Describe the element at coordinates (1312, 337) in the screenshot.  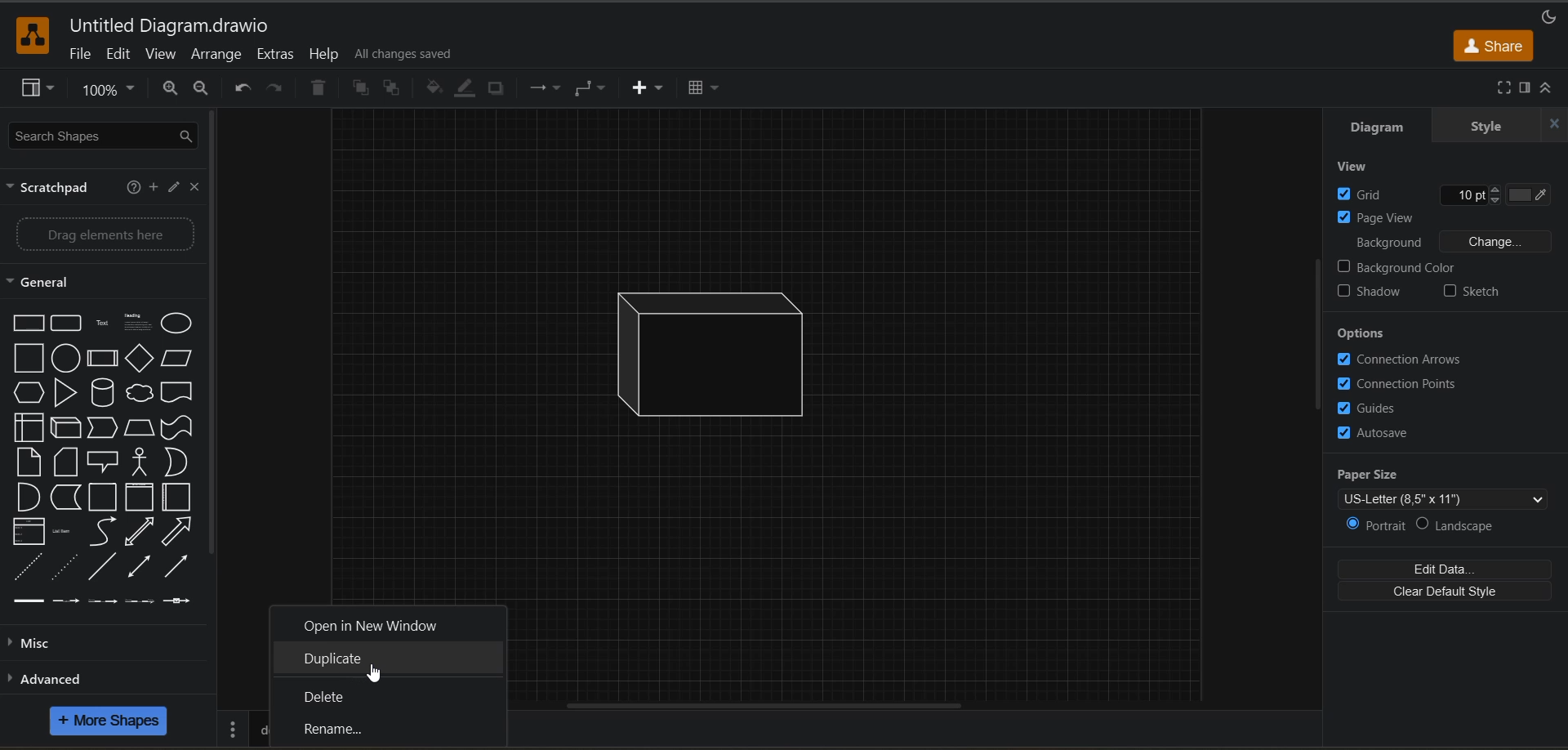
I see `vertical scroll bar` at that location.